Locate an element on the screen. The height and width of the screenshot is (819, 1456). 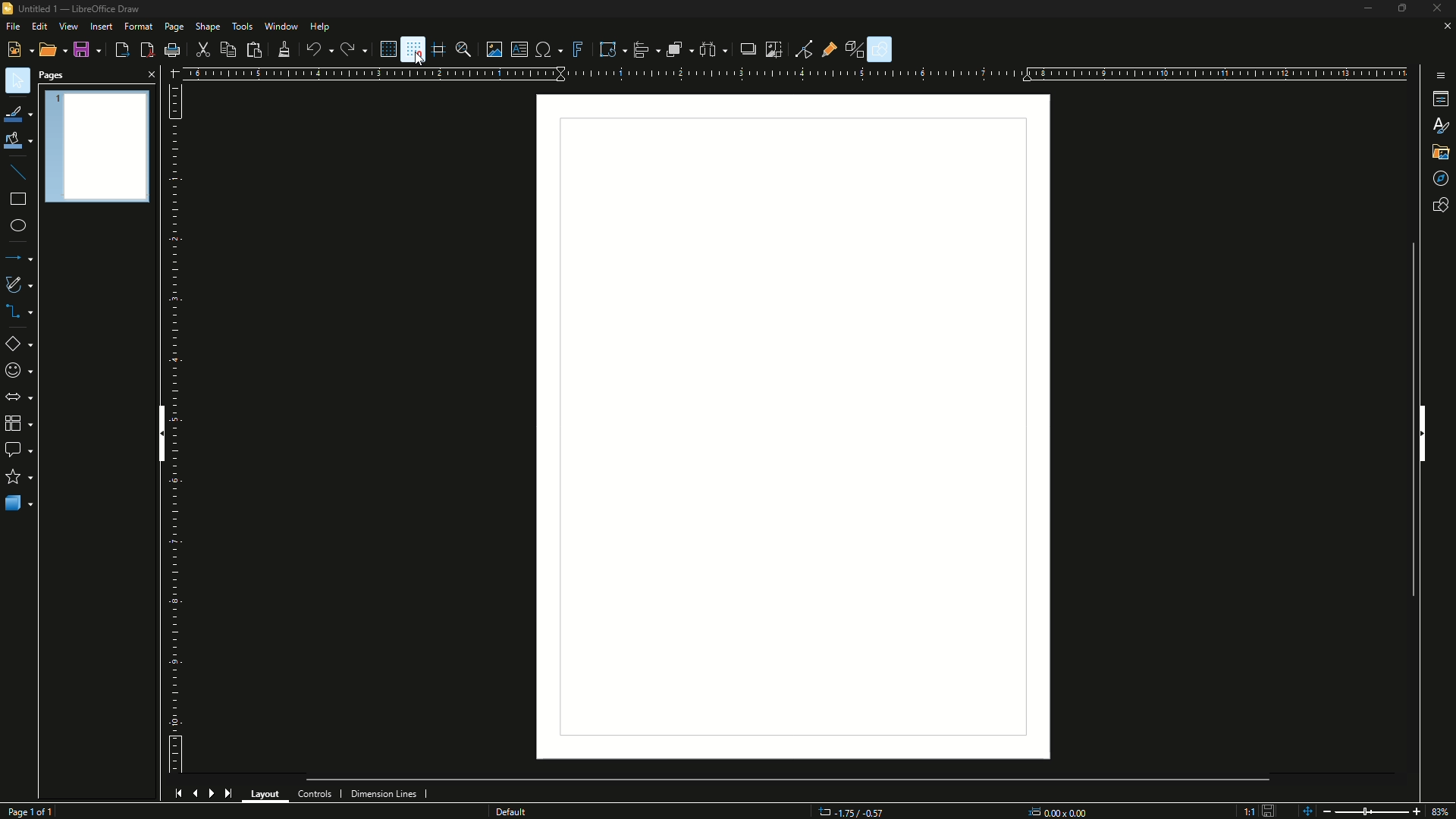
Zoom out is located at coordinates (1326, 808).